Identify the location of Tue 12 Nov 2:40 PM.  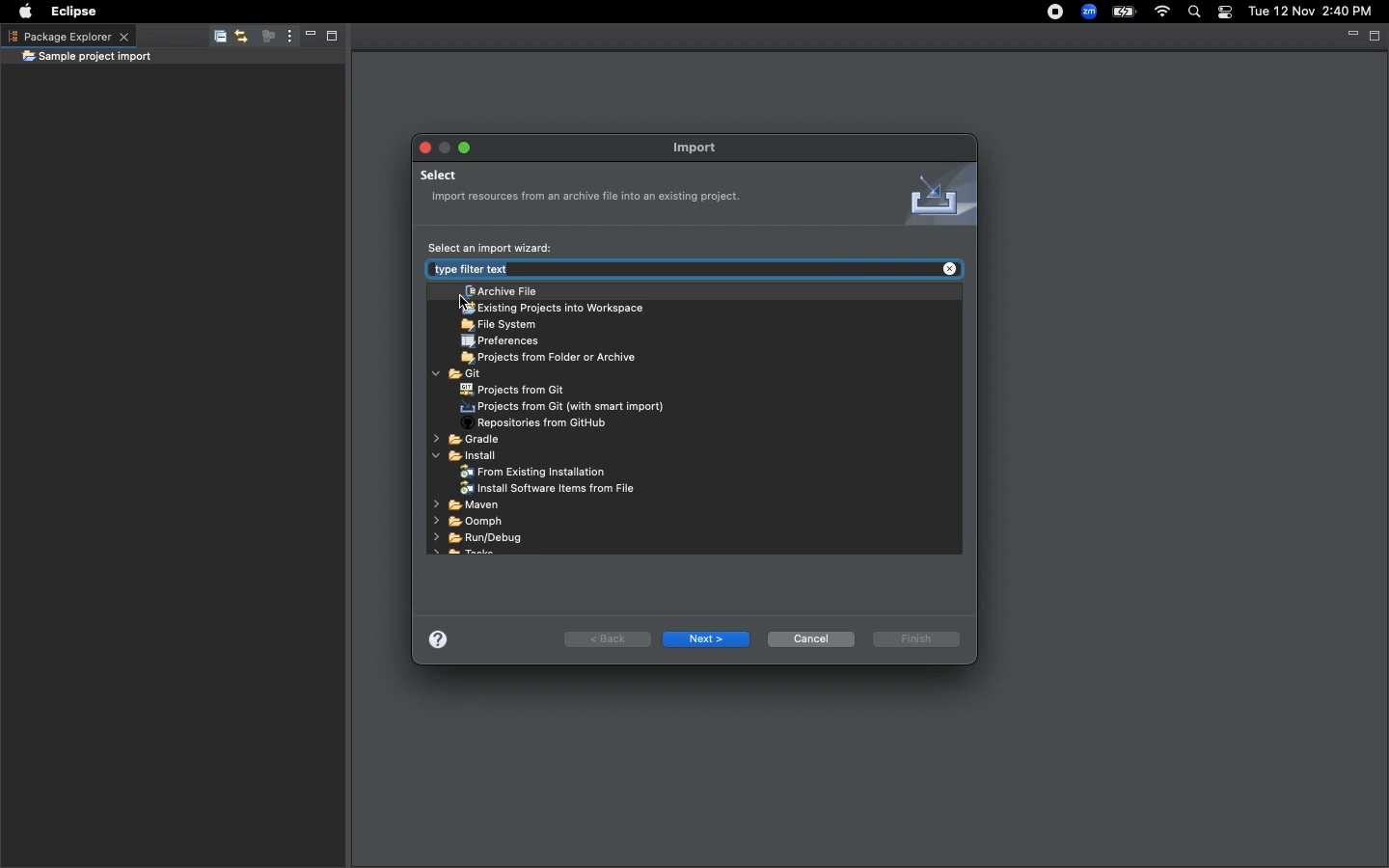
(1310, 12).